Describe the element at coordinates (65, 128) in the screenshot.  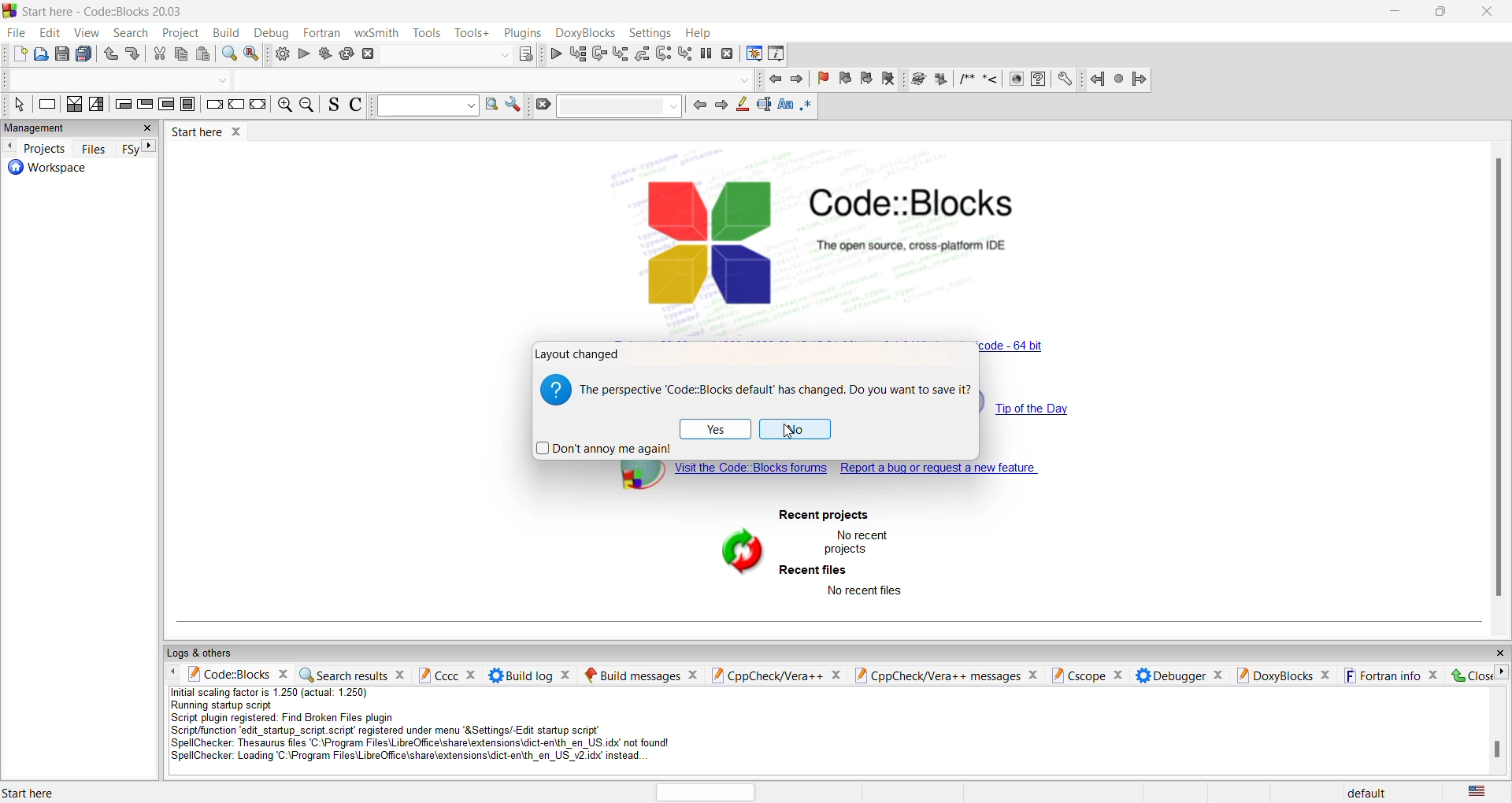
I see `management pane` at that location.